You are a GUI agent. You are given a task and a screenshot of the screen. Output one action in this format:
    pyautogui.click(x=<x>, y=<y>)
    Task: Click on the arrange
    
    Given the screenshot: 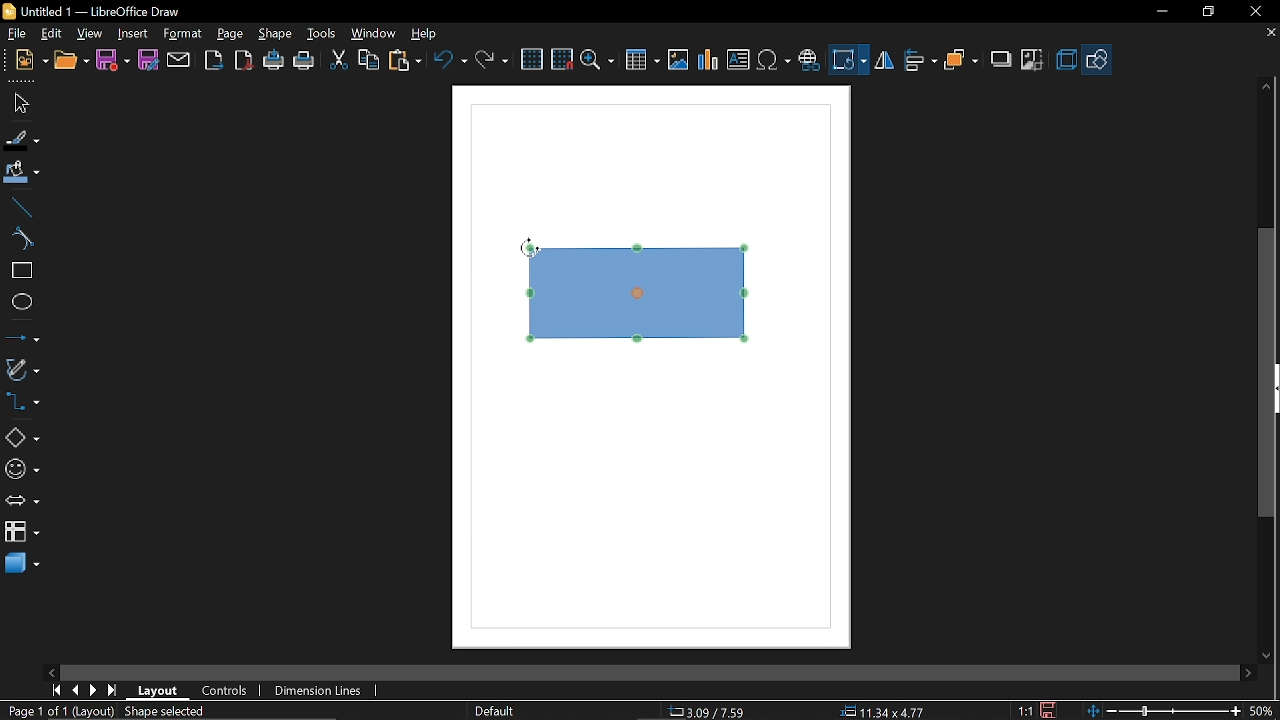 What is the action you would take?
    pyautogui.click(x=962, y=59)
    